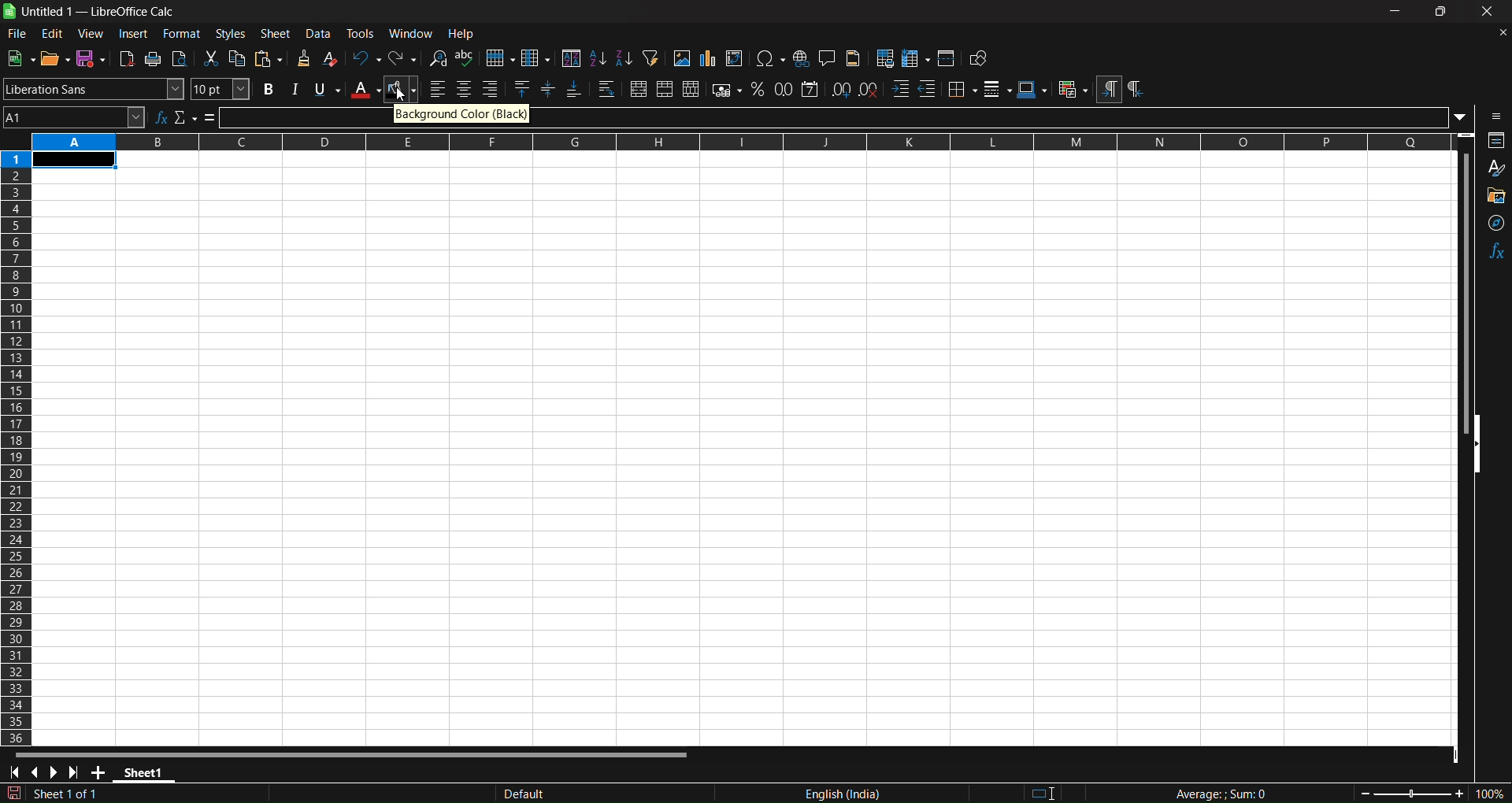  Describe the element at coordinates (651, 58) in the screenshot. I see `auto filter` at that location.